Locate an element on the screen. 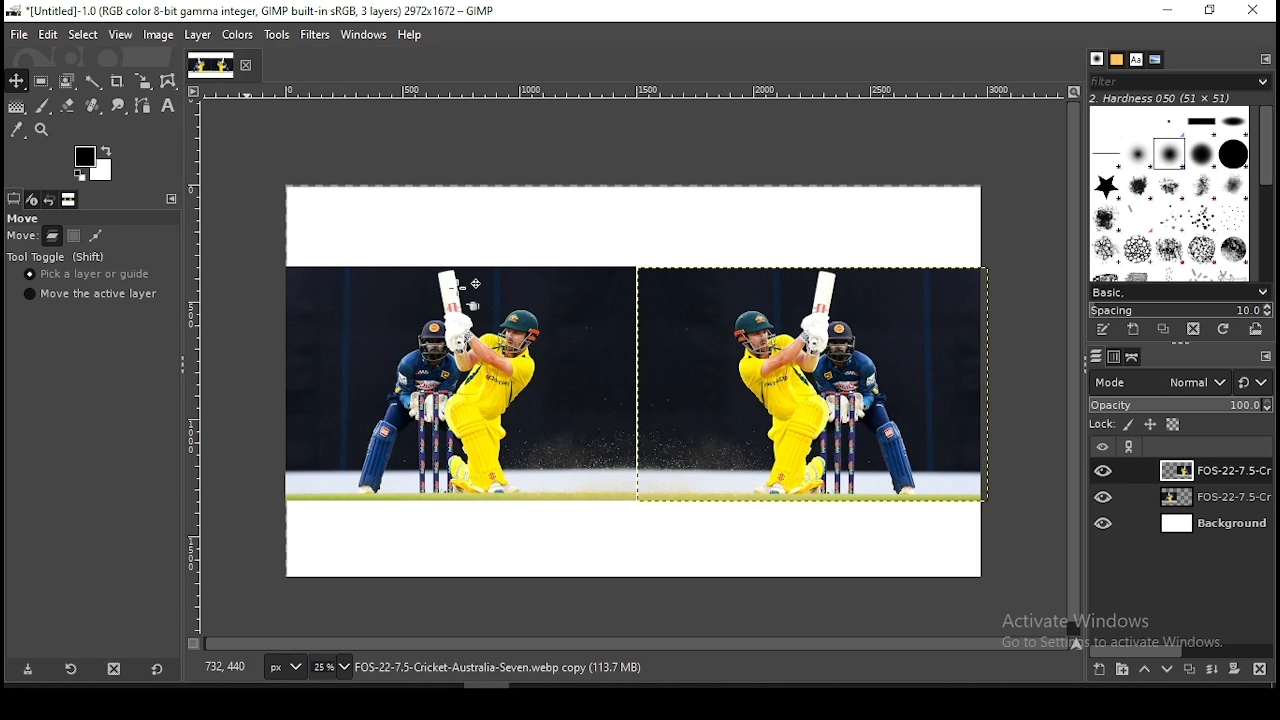 The width and height of the screenshot is (1280, 720). image (duplicate) is located at coordinates (811, 386).